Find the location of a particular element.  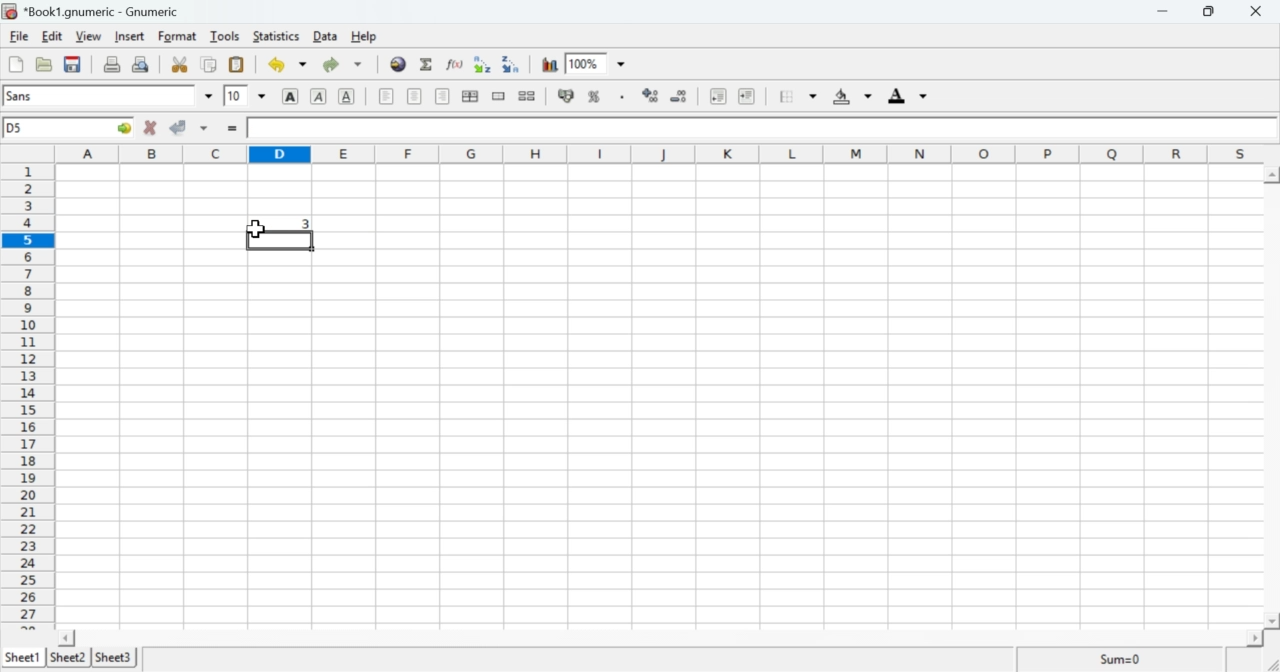

Bold is located at coordinates (290, 96).